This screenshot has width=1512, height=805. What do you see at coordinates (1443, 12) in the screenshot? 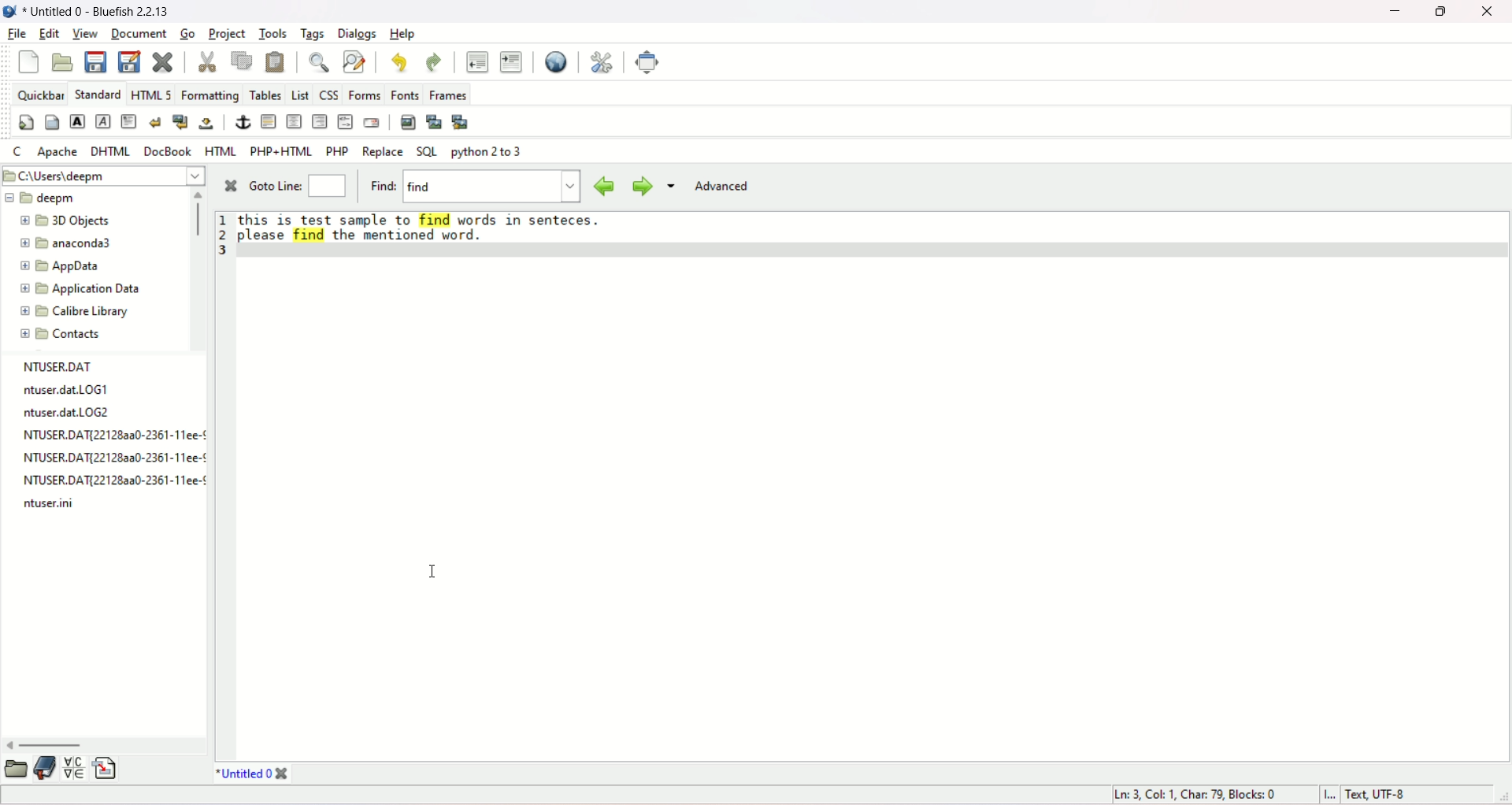
I see `maximize` at bounding box center [1443, 12].